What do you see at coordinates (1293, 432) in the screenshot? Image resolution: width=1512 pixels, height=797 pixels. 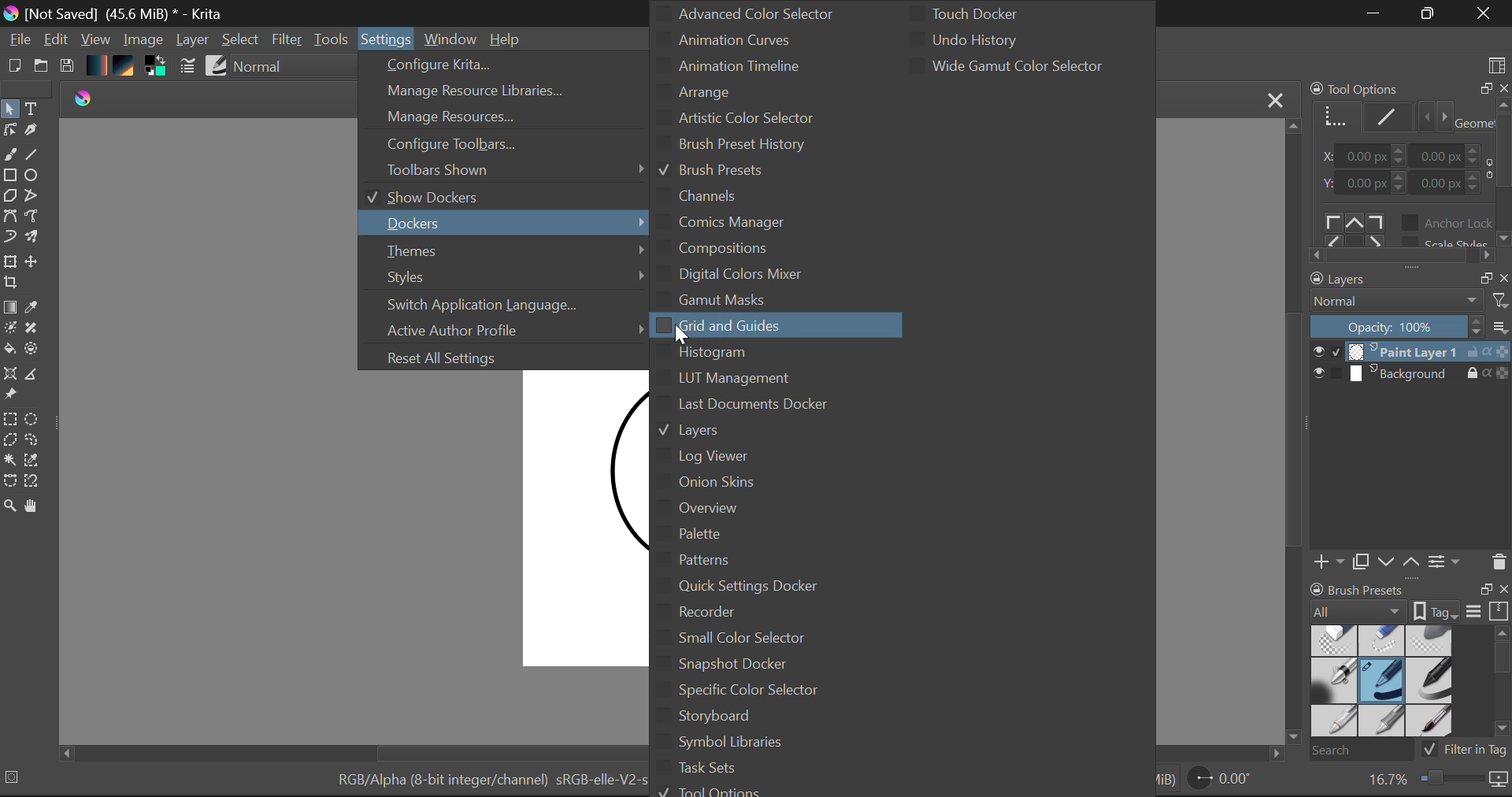 I see `Scroll Bar` at bounding box center [1293, 432].